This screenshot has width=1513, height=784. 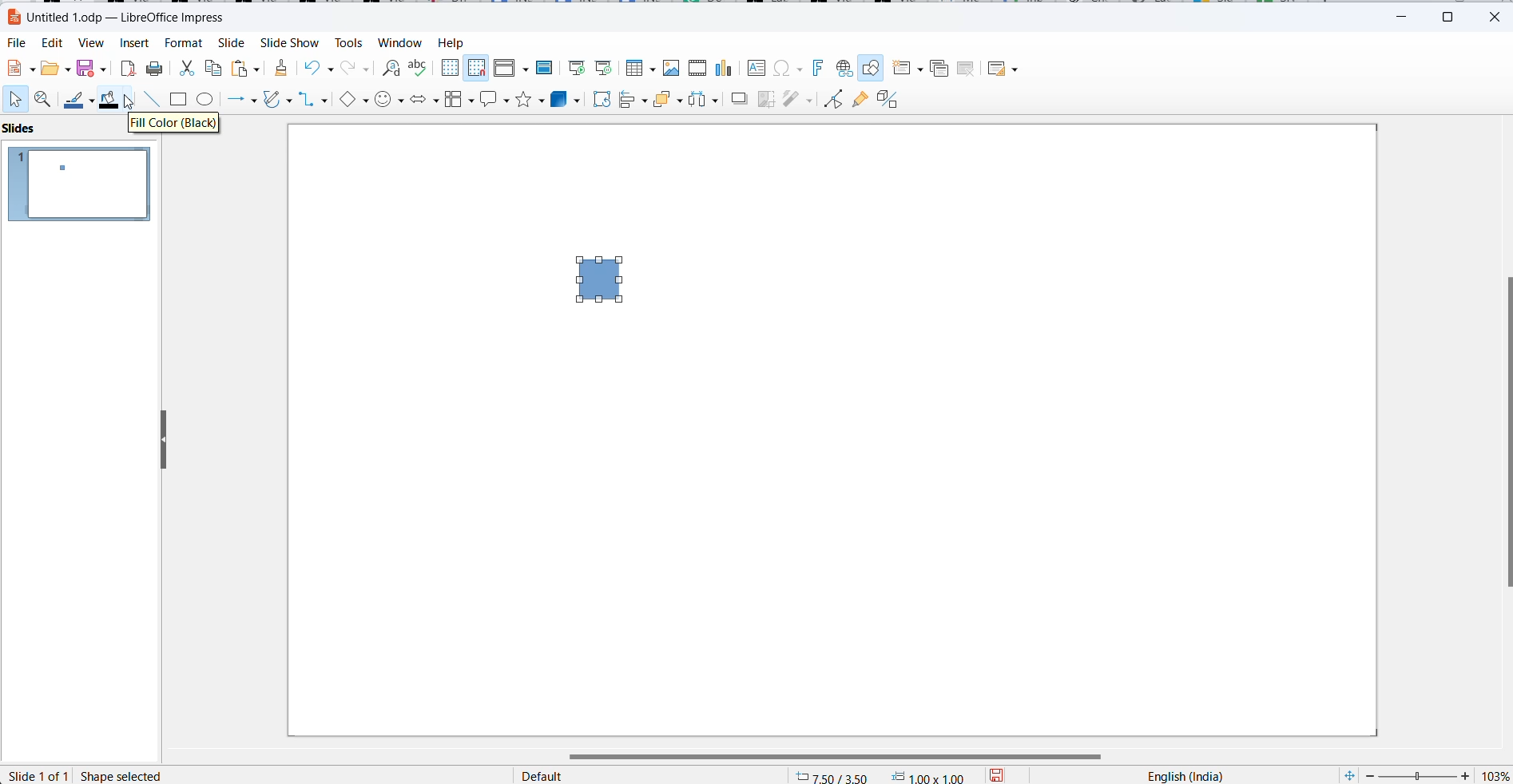 I want to click on connectors, so click(x=313, y=101).